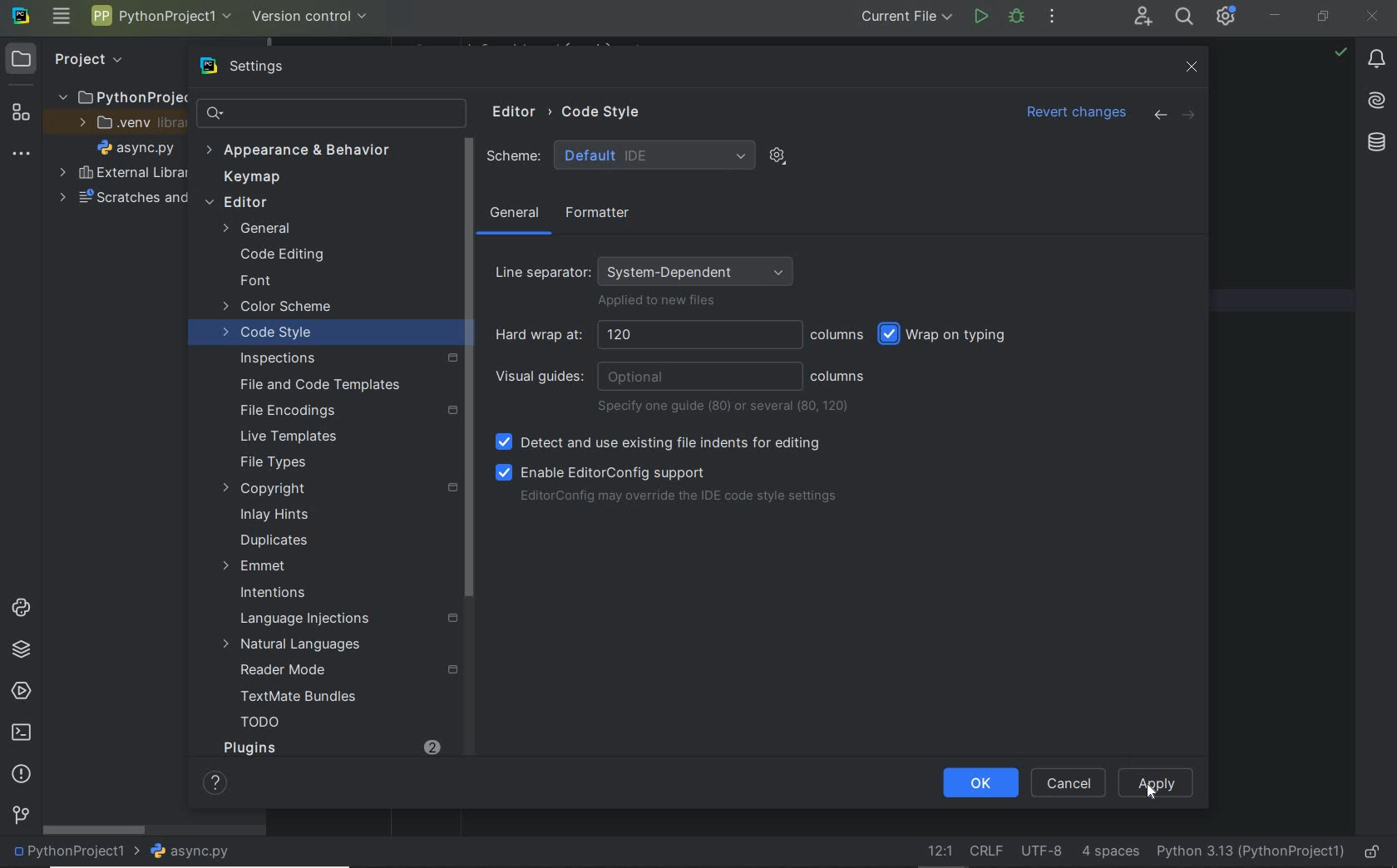 The image size is (1397, 868). What do you see at coordinates (1151, 789) in the screenshot?
I see `Cursor Position` at bounding box center [1151, 789].